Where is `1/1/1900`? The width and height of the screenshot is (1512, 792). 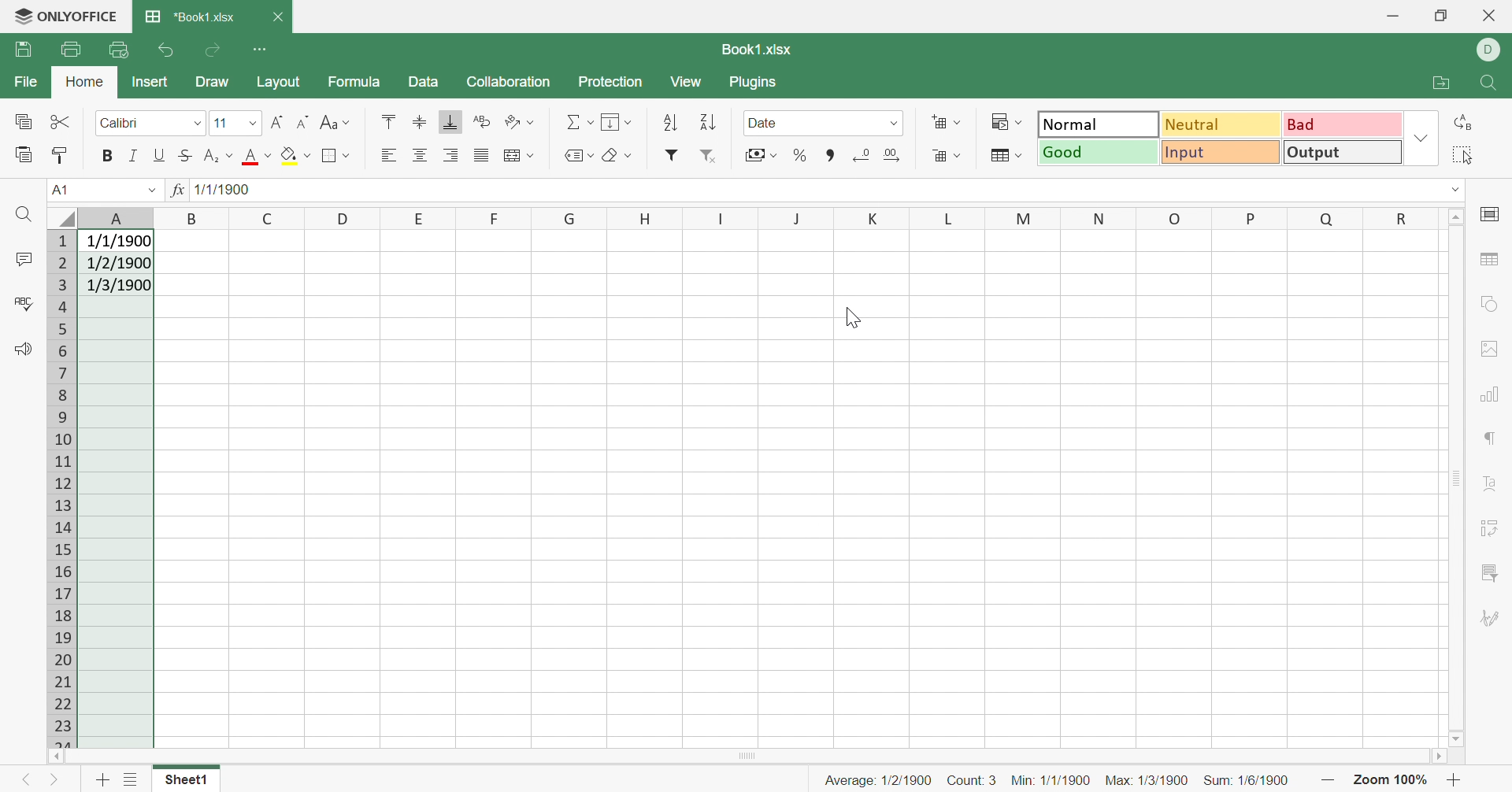
1/1/1900 is located at coordinates (117, 239).